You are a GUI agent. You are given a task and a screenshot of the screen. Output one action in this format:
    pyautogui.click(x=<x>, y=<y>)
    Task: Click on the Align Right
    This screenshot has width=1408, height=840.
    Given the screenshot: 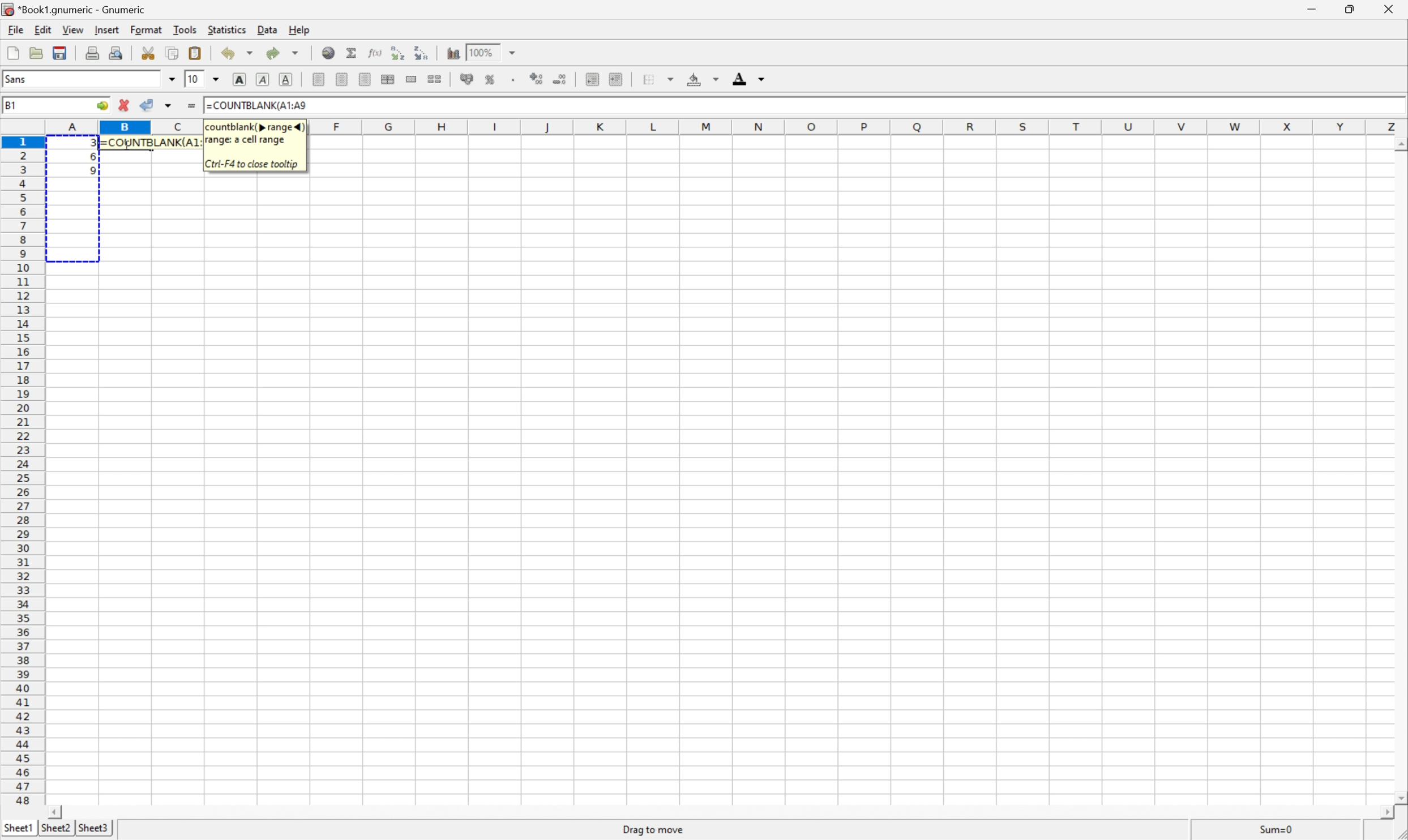 What is the action you would take?
    pyautogui.click(x=363, y=79)
    